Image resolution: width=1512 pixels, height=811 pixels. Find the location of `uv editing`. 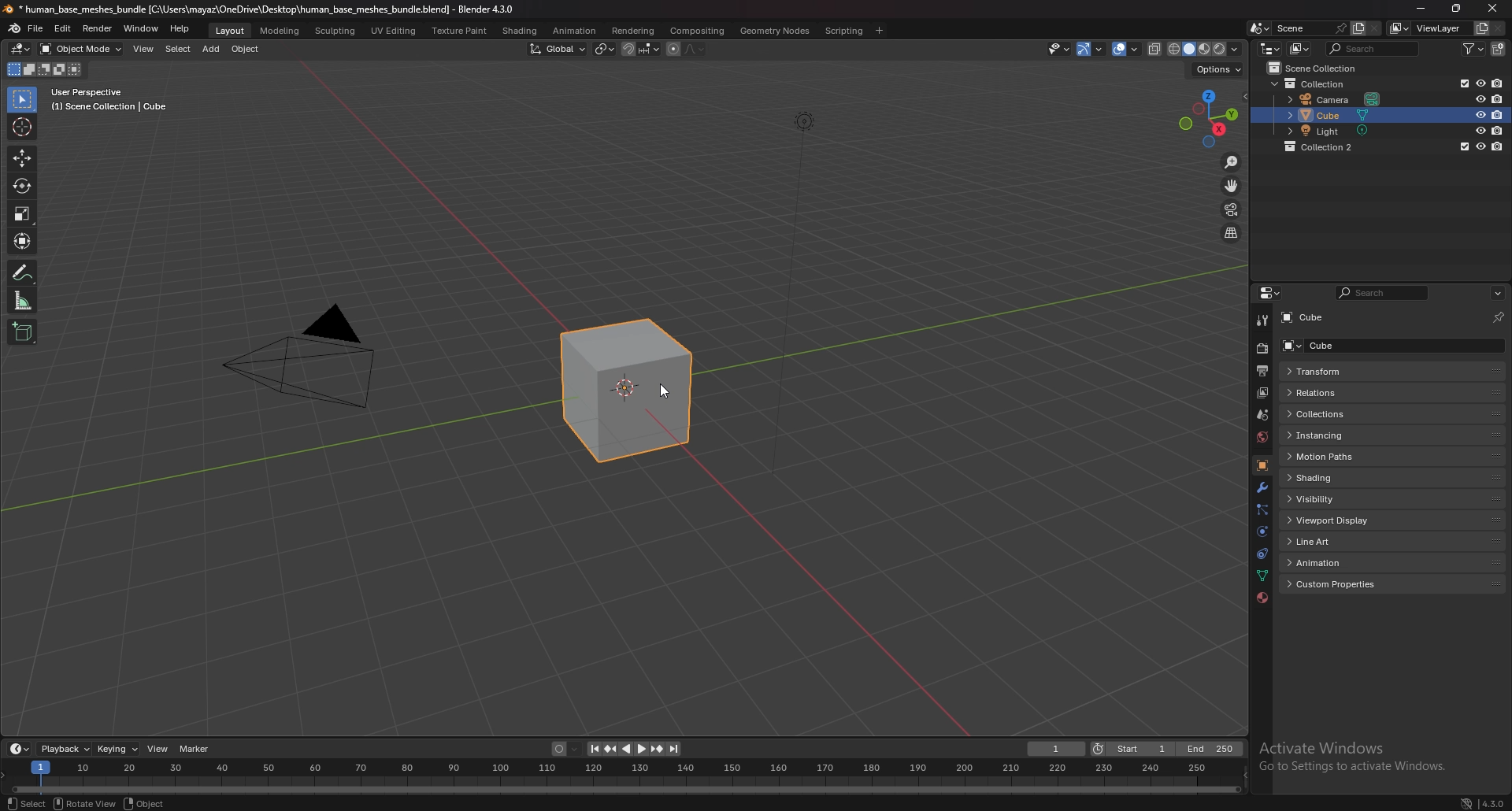

uv editing is located at coordinates (393, 30).